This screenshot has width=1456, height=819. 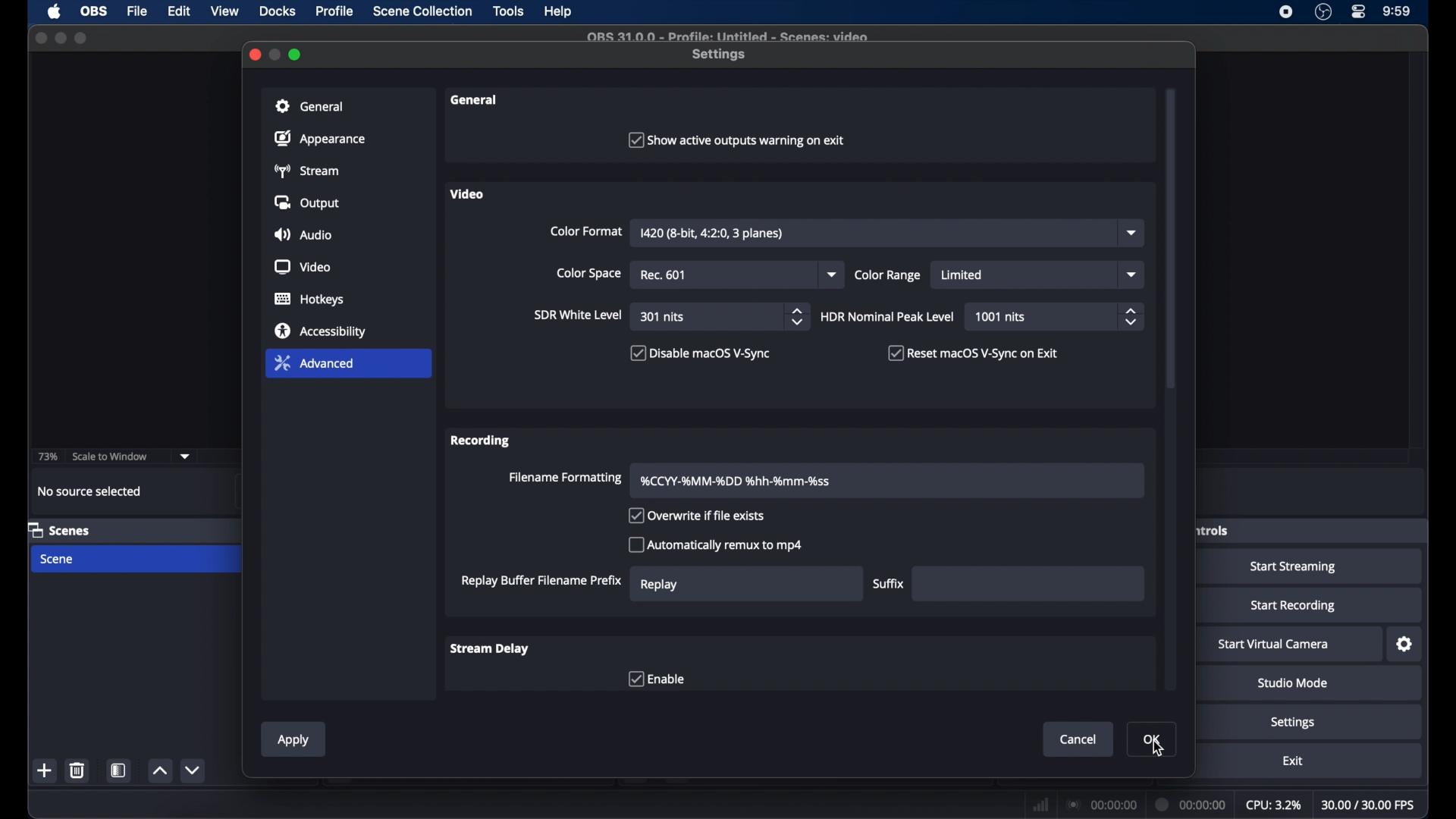 I want to click on filename , so click(x=736, y=482).